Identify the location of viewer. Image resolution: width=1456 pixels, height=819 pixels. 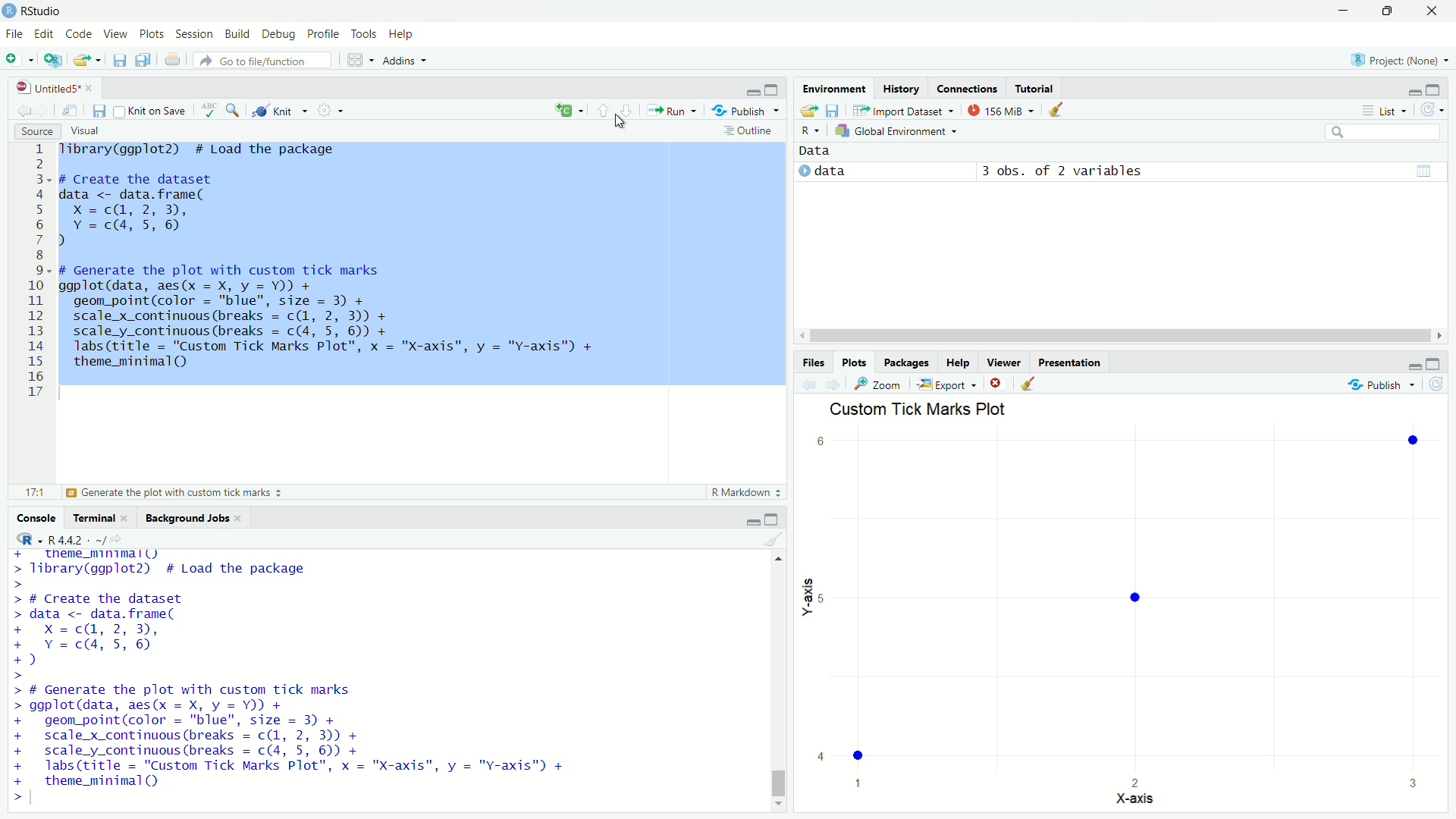
(1005, 361).